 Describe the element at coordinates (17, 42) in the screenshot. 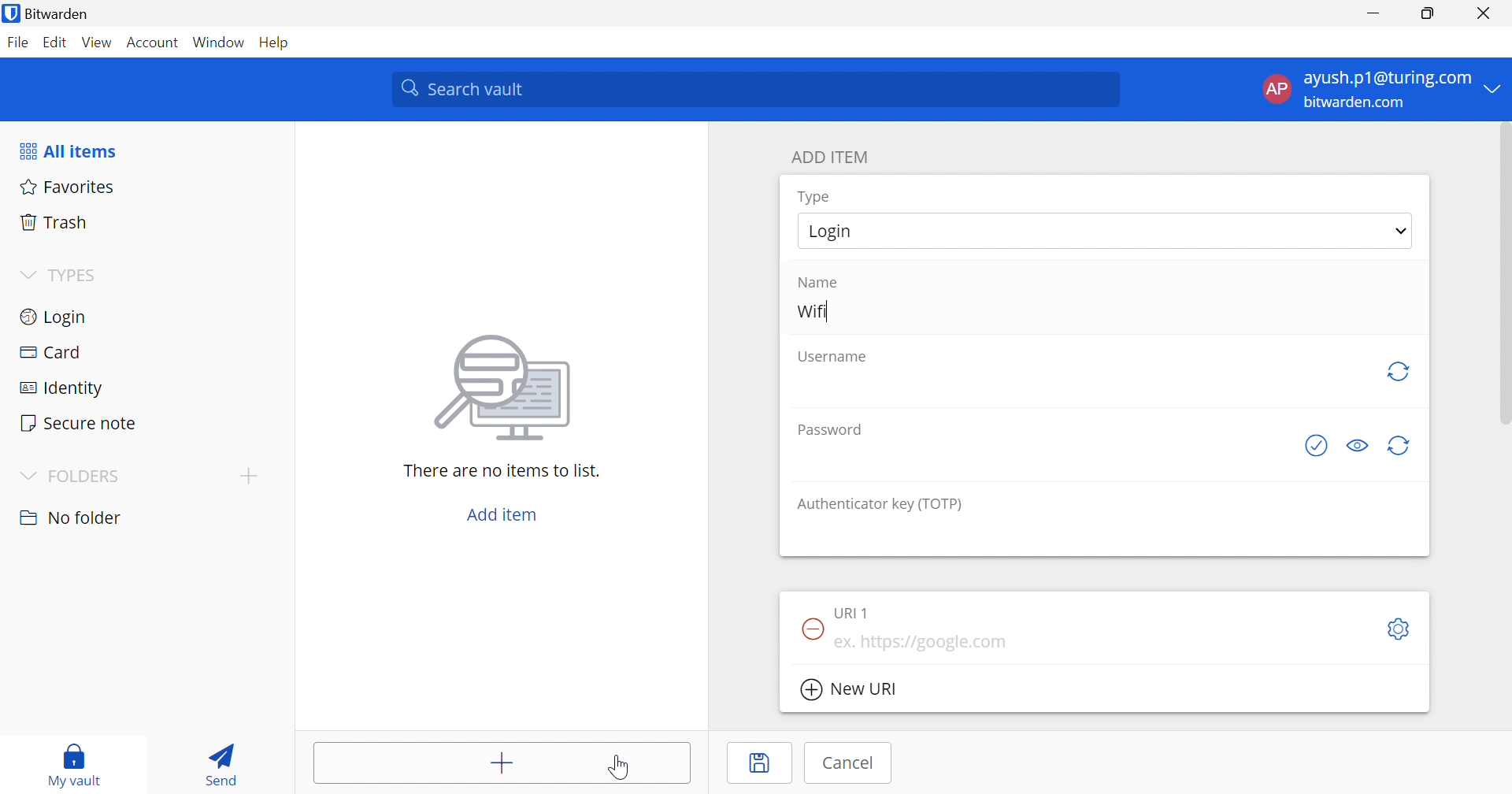

I see `File` at that location.